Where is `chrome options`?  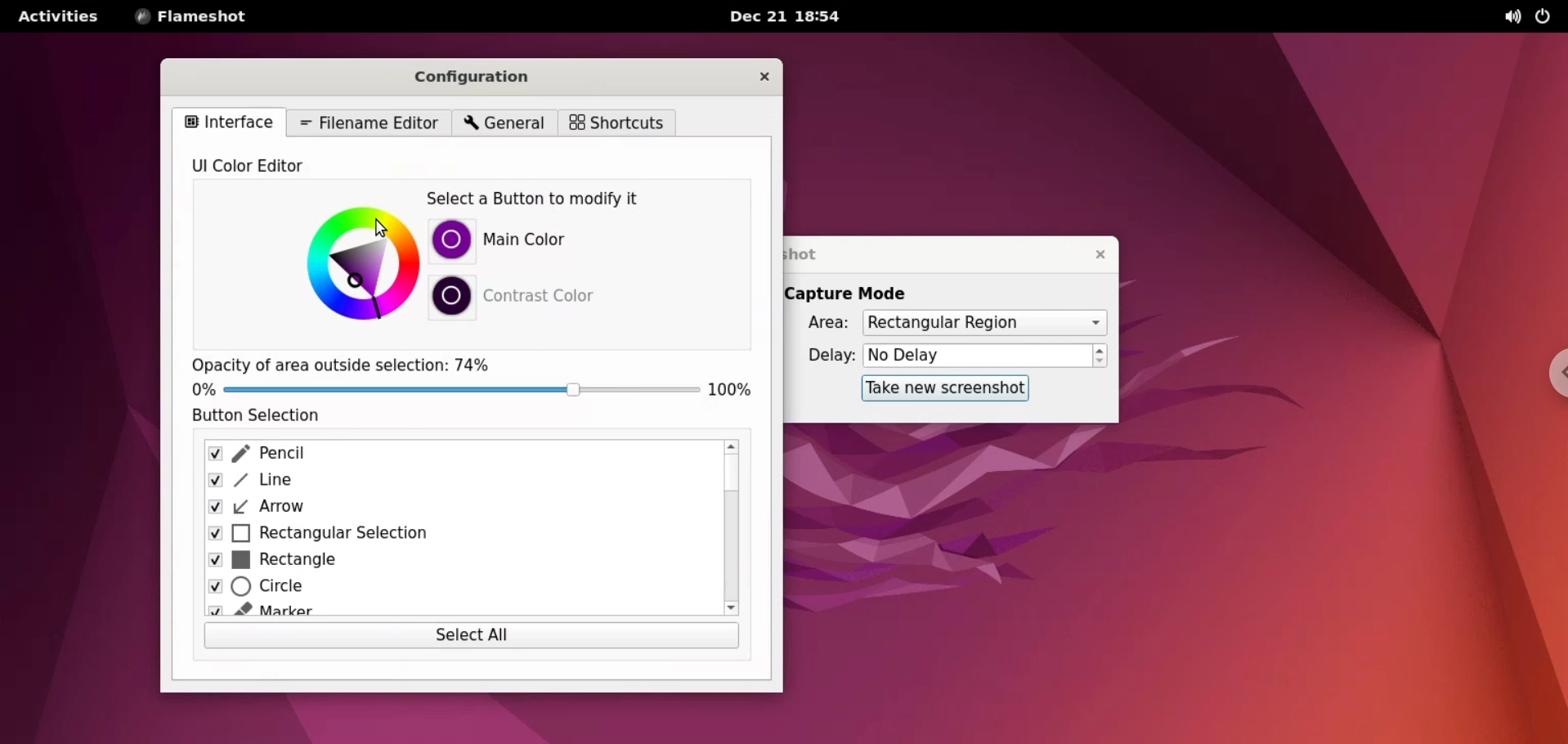
chrome options is located at coordinates (1550, 372).